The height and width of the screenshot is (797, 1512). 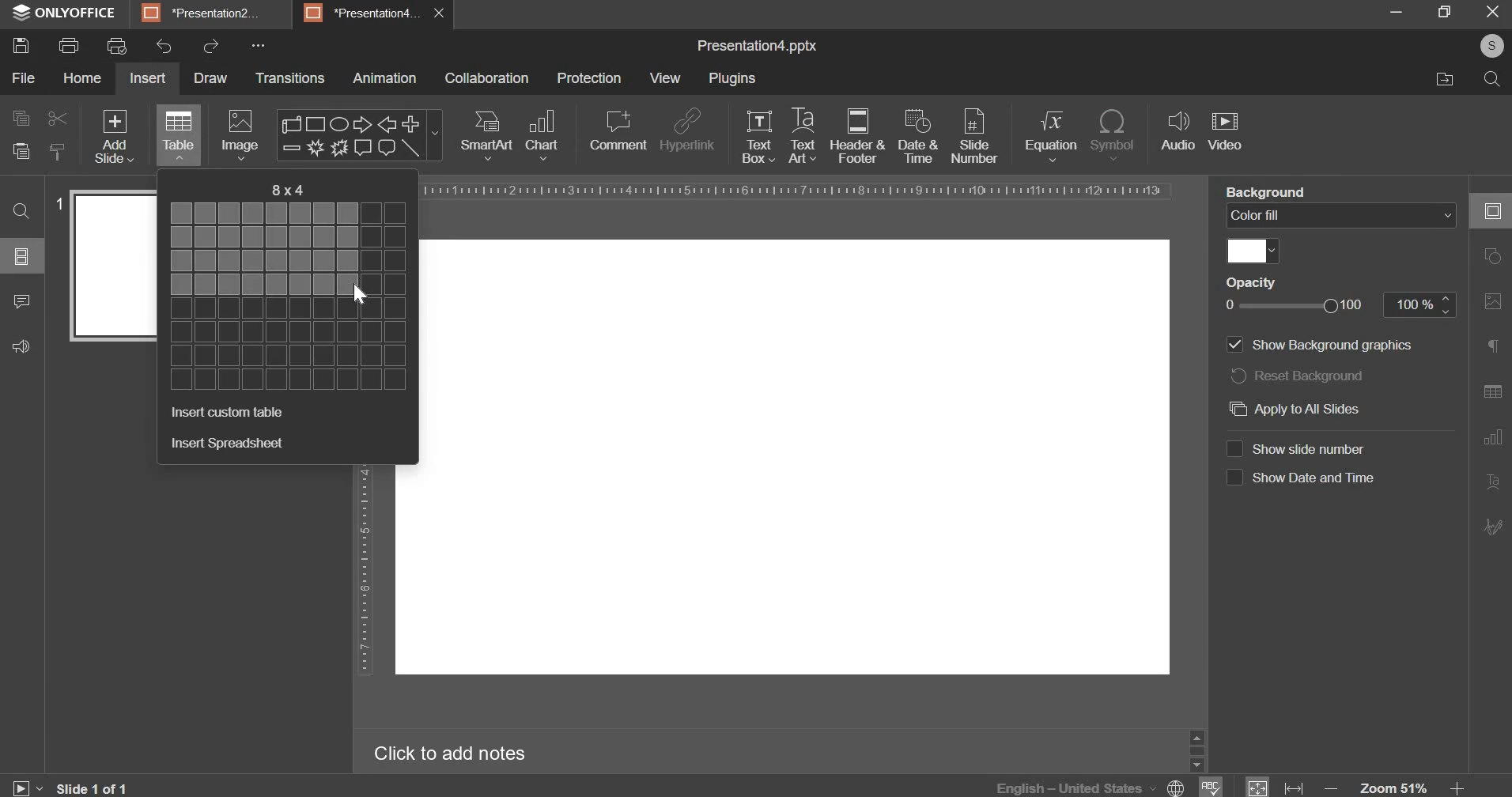 What do you see at coordinates (23, 77) in the screenshot?
I see `file` at bounding box center [23, 77].